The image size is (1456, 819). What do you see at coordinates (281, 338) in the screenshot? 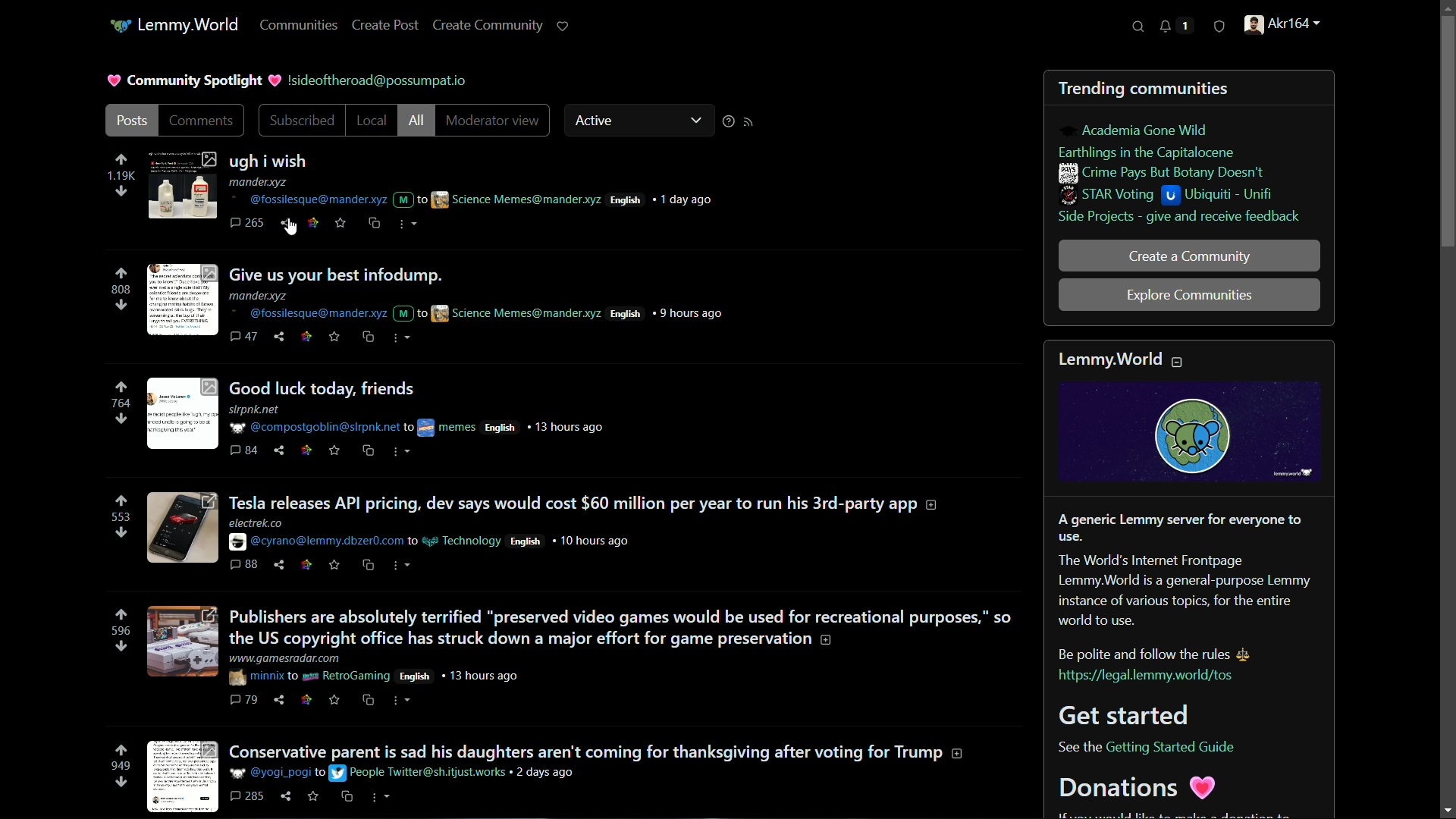
I see `share` at bounding box center [281, 338].